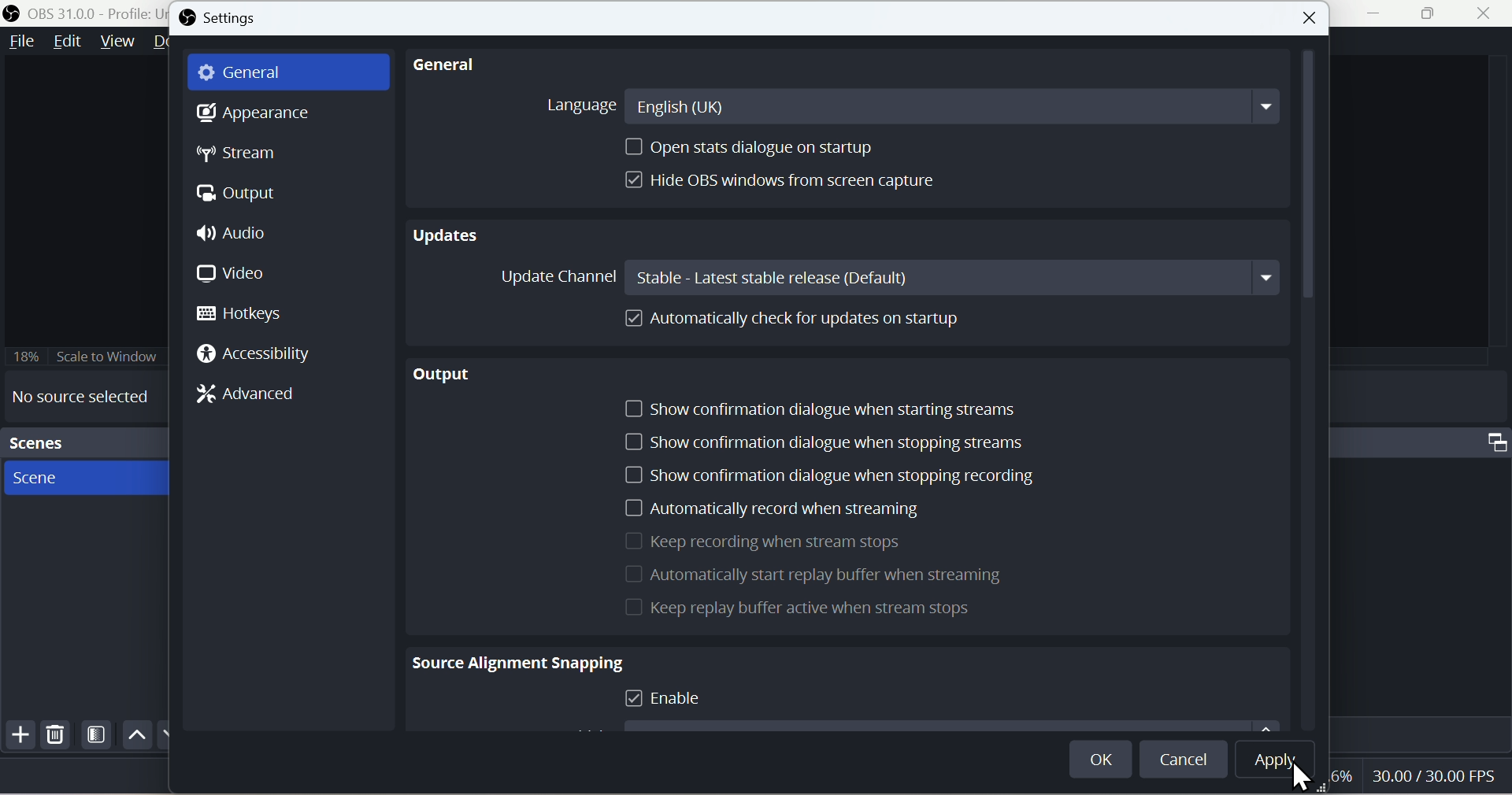 The width and height of the screenshot is (1512, 795). What do you see at coordinates (1432, 13) in the screenshot?
I see `Window Expand` at bounding box center [1432, 13].